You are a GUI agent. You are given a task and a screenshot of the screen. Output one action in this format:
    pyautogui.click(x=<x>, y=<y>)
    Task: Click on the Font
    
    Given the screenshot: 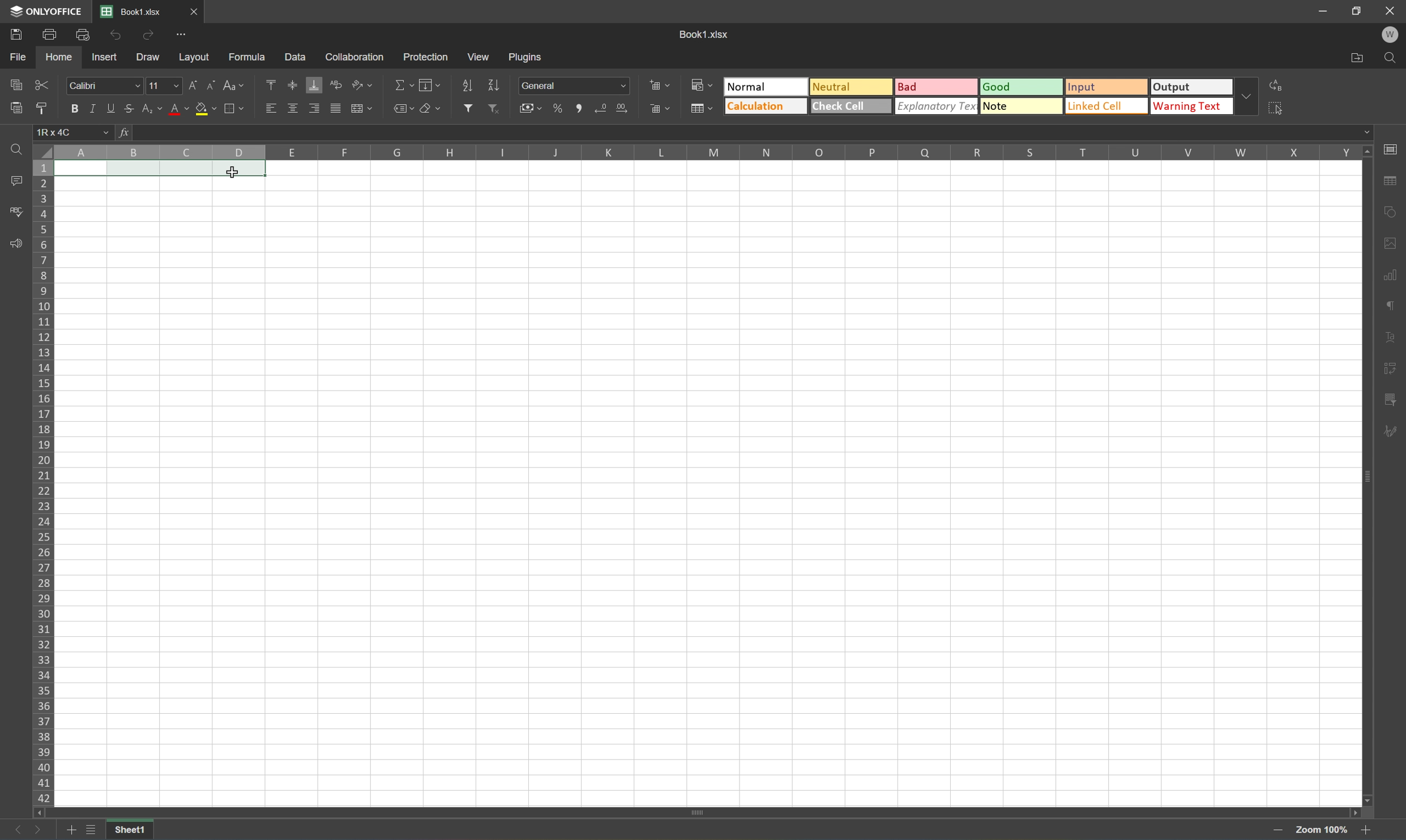 What is the action you would take?
    pyautogui.click(x=104, y=85)
    